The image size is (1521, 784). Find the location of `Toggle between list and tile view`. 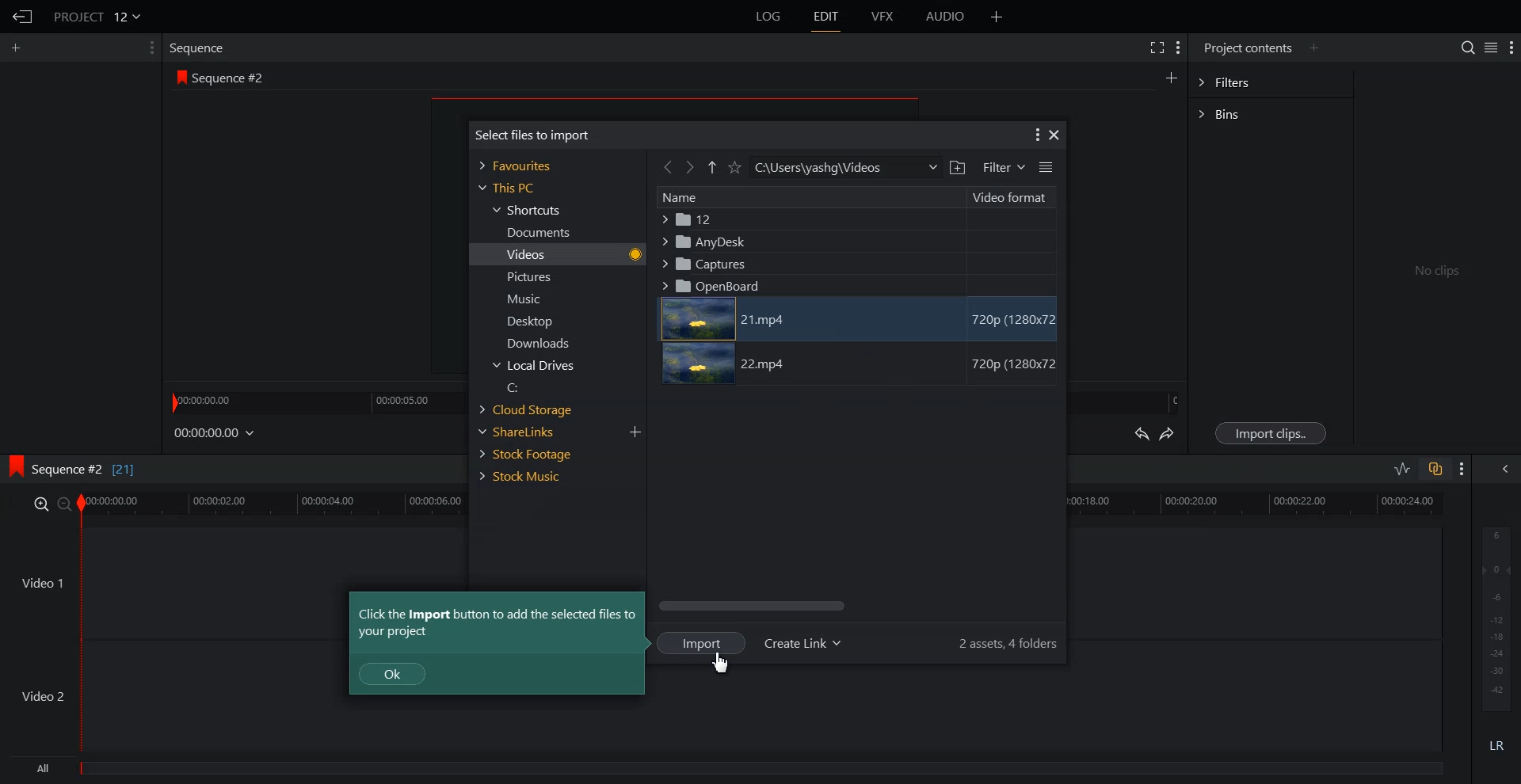

Toggle between list and tile view is located at coordinates (1488, 48).